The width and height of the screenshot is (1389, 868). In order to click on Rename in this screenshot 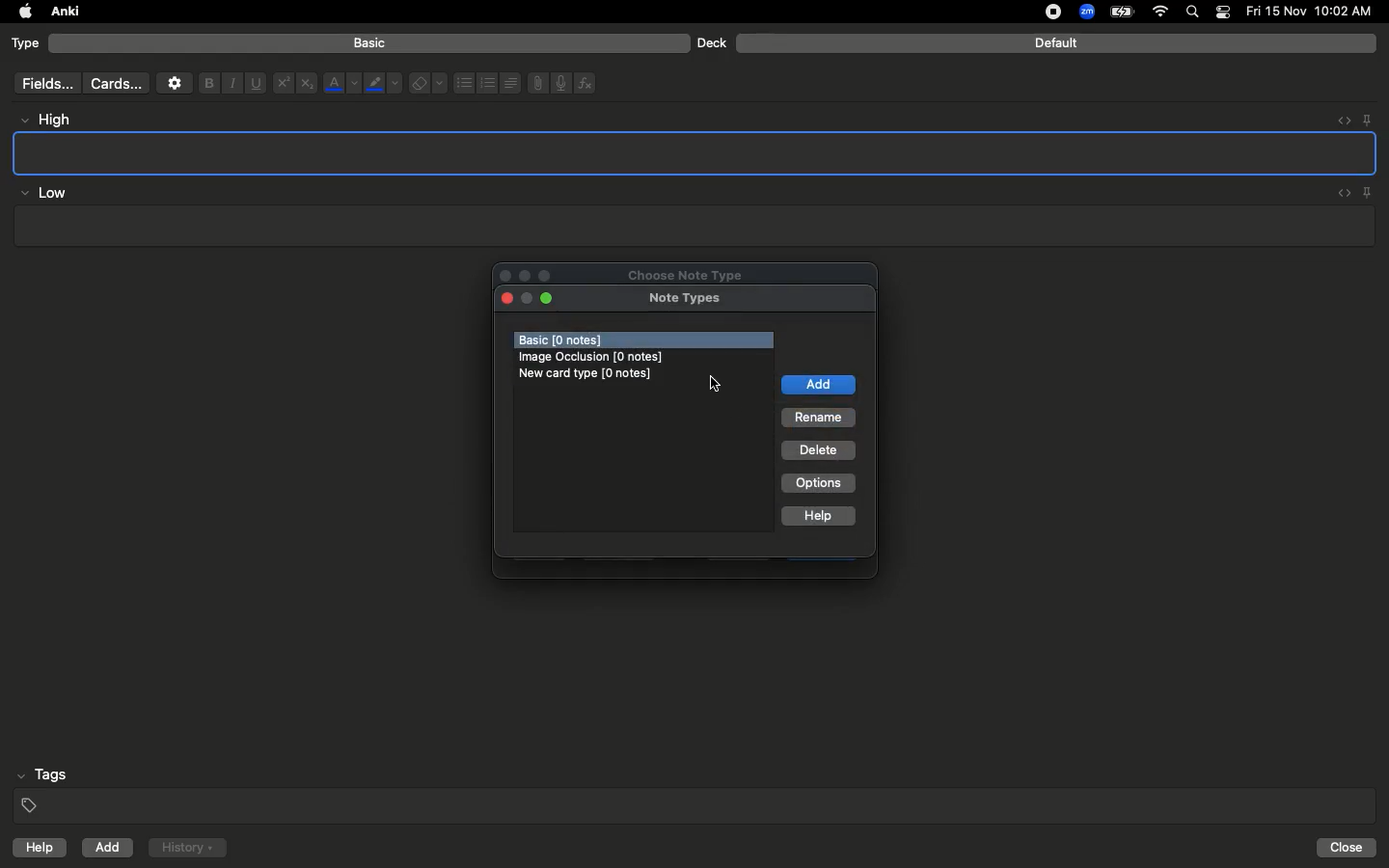, I will do `click(819, 419)`.